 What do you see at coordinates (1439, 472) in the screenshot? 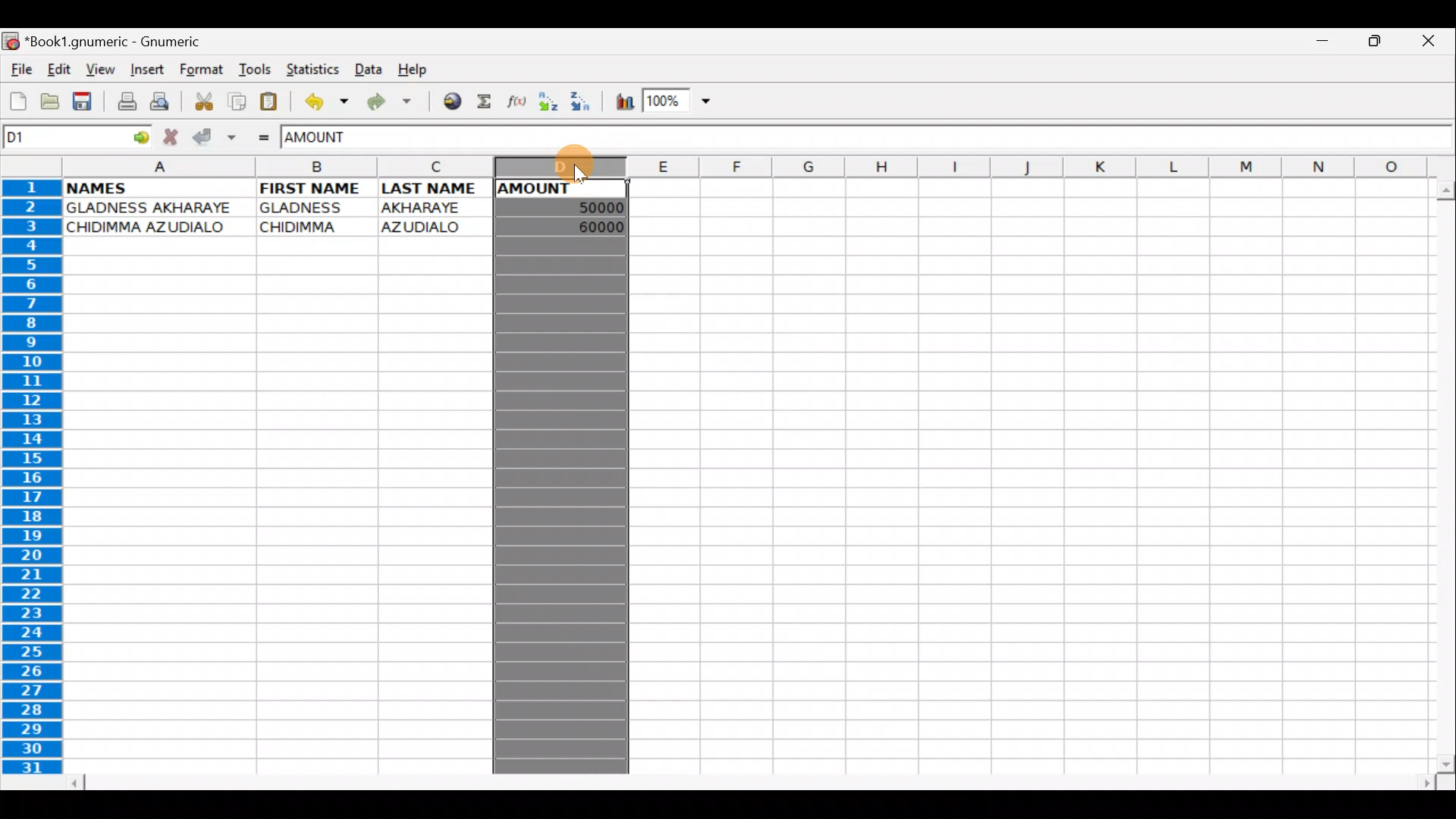
I see `Scroll bar` at bounding box center [1439, 472].